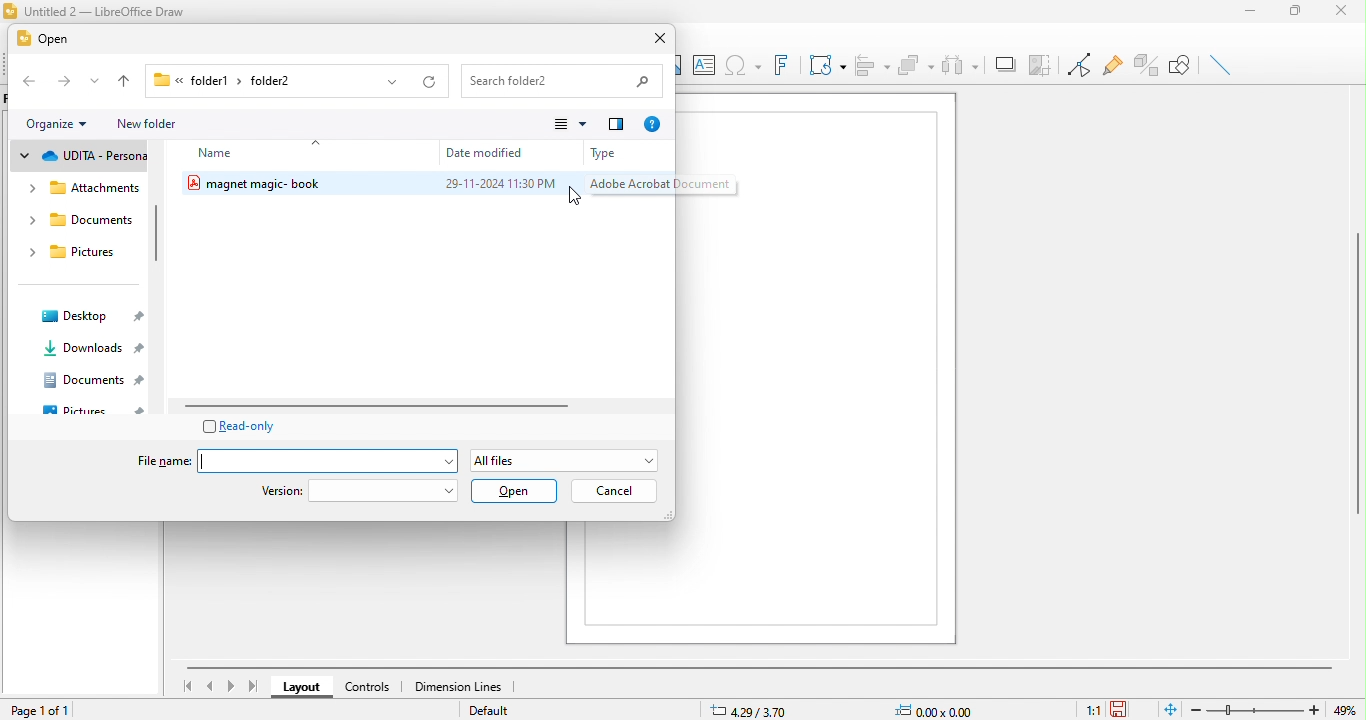  Describe the element at coordinates (759, 664) in the screenshot. I see `horizontal scroll bar` at that location.